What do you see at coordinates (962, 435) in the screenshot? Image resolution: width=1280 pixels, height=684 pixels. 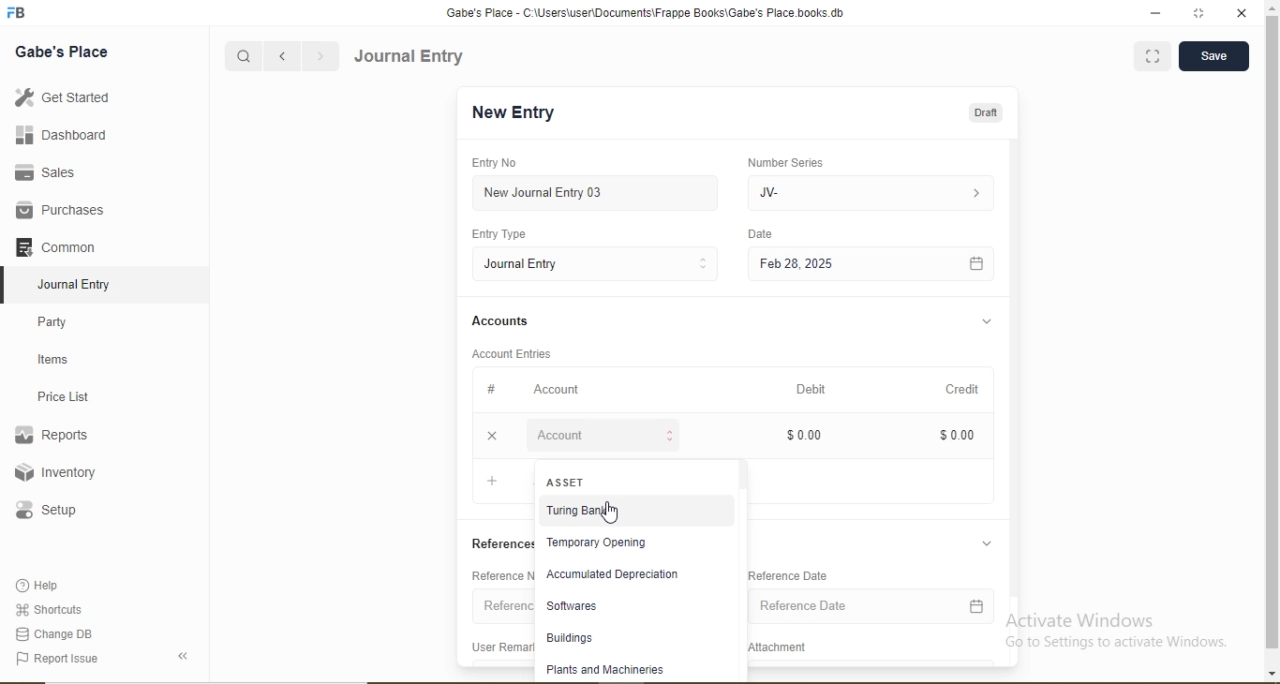 I see `$0.00` at bounding box center [962, 435].